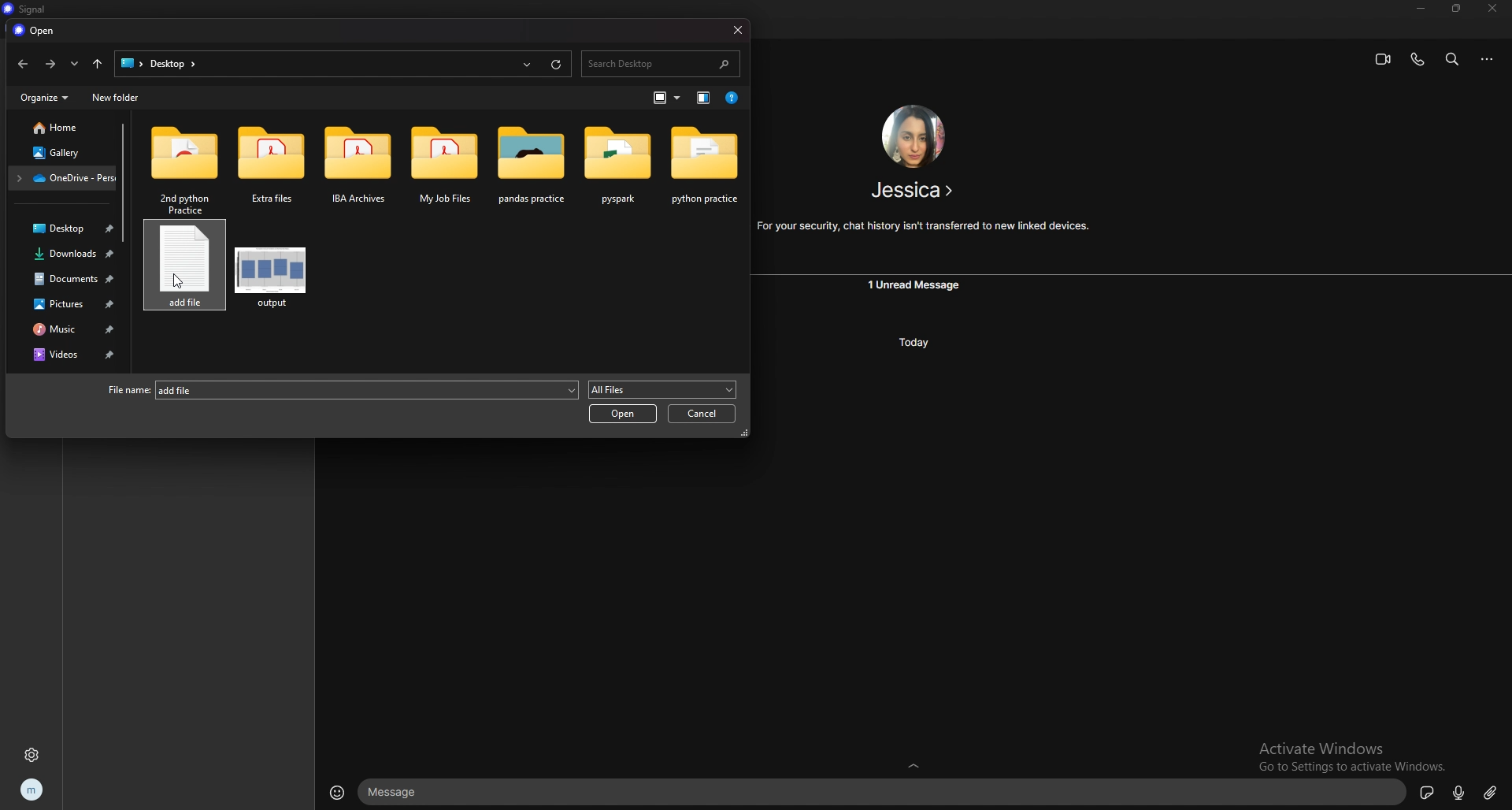 This screenshot has height=810, width=1512. Describe the element at coordinates (188, 166) in the screenshot. I see `folder` at that location.